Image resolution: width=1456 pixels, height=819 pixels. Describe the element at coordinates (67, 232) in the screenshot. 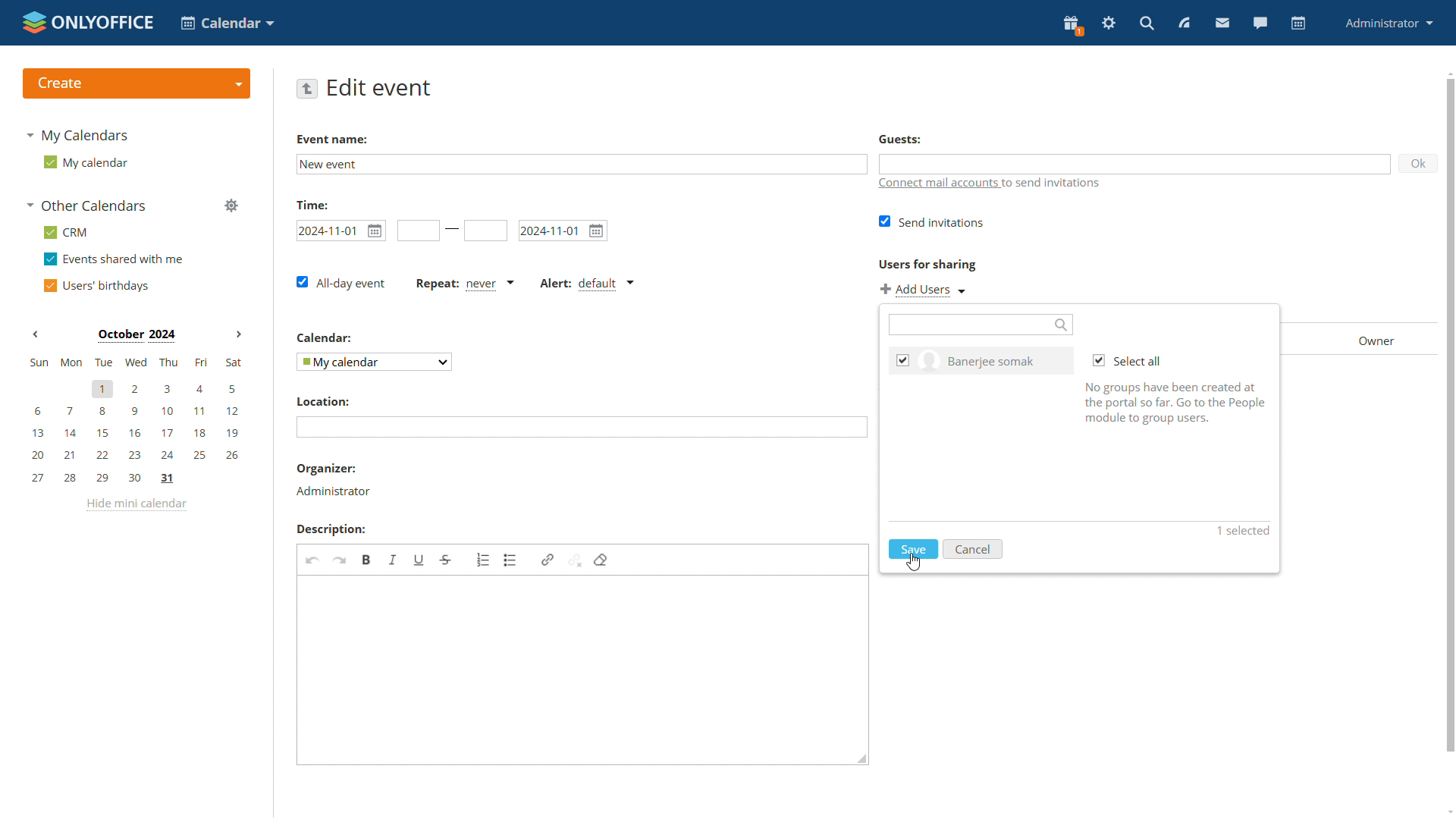

I see `crm` at that location.